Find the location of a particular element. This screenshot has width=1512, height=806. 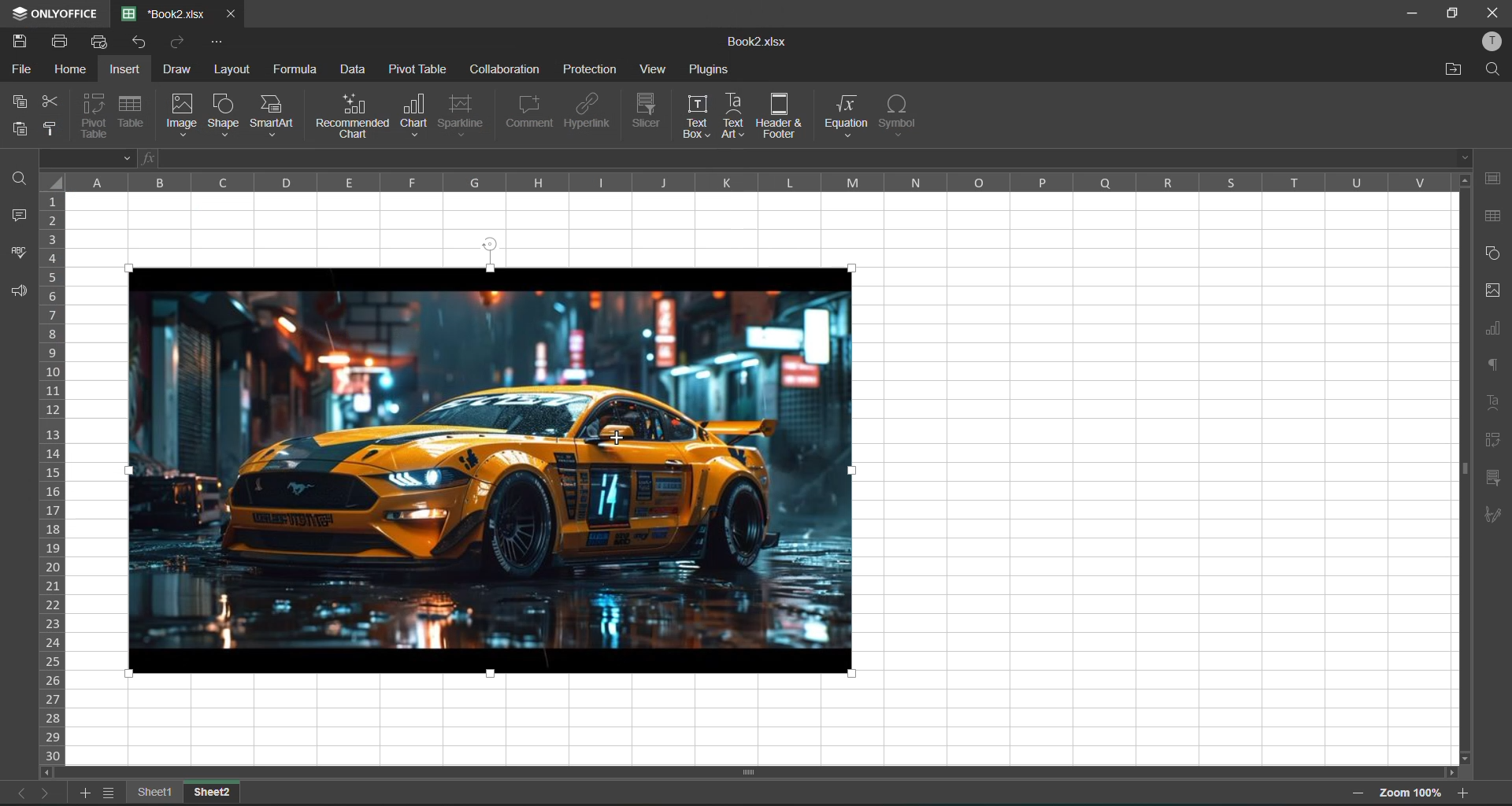

image is located at coordinates (184, 113).